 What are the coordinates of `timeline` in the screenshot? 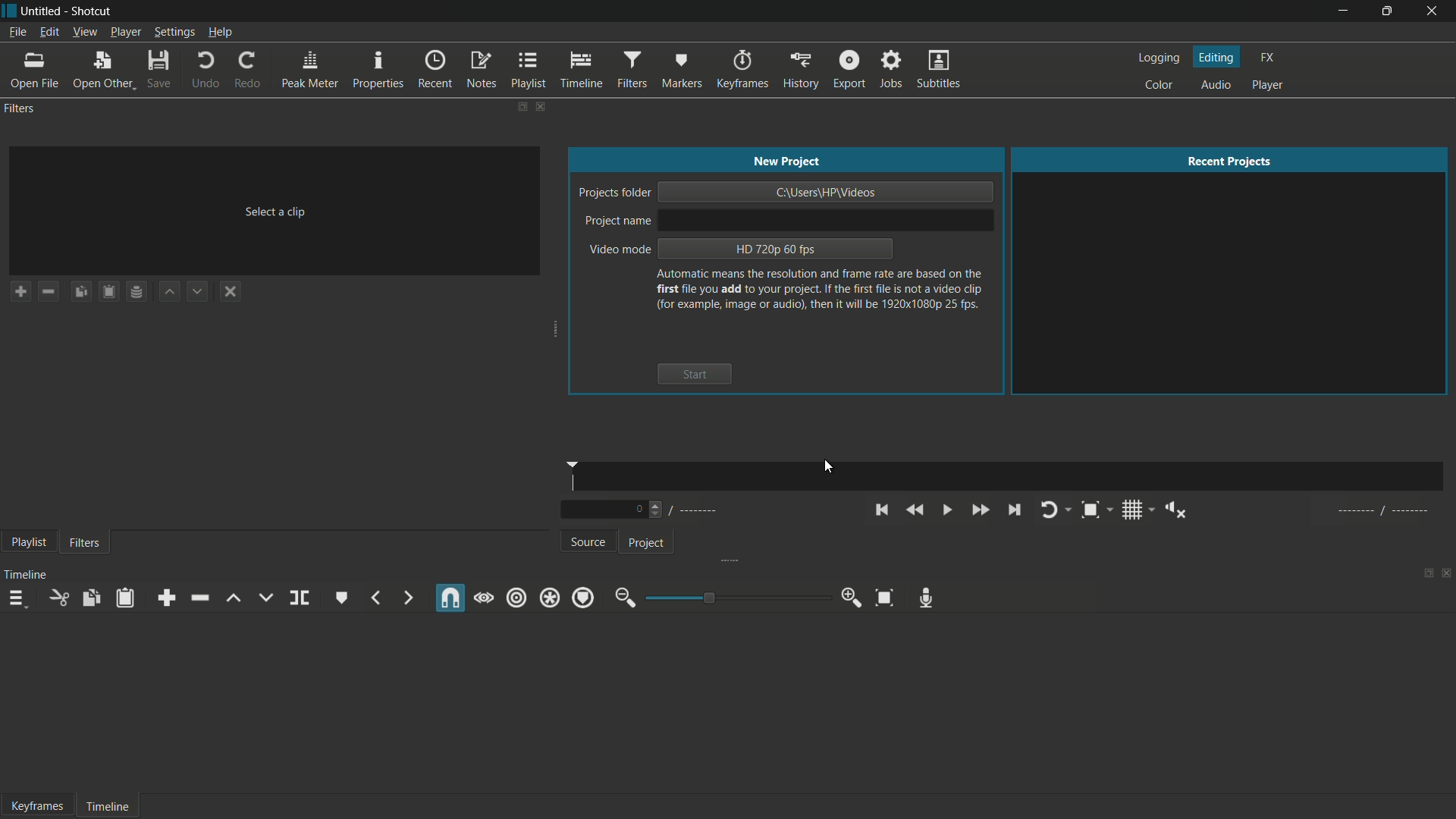 It's located at (580, 70).